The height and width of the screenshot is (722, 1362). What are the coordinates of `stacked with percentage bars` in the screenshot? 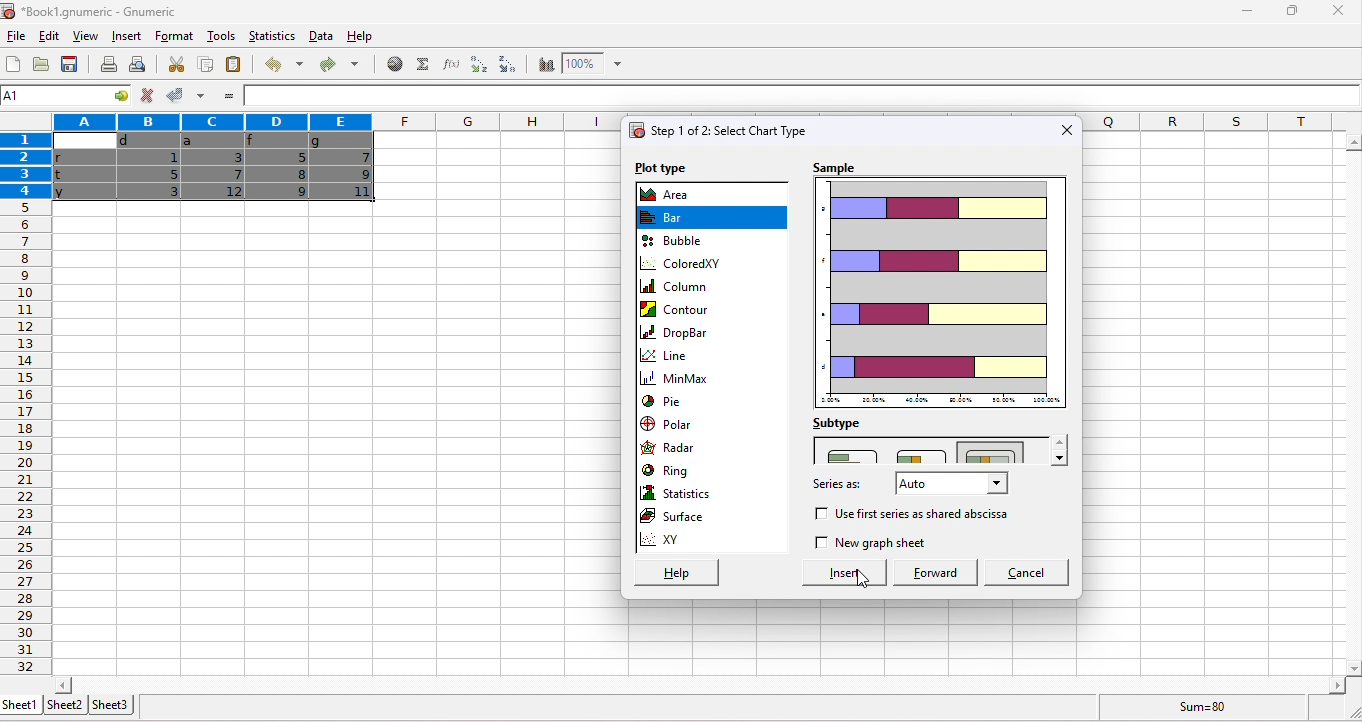 It's located at (995, 452).